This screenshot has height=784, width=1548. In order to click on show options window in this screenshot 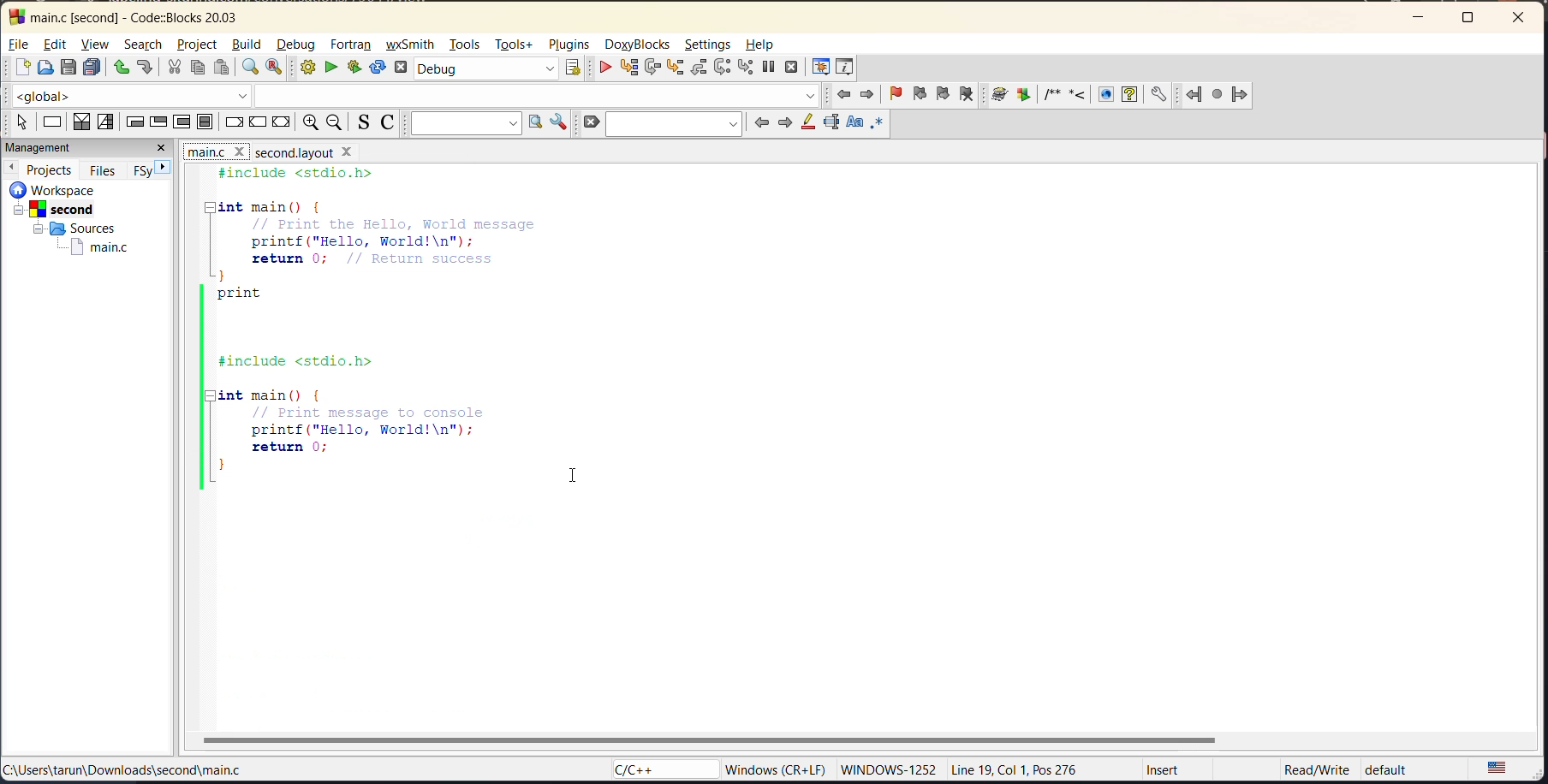, I will do `click(558, 124)`.